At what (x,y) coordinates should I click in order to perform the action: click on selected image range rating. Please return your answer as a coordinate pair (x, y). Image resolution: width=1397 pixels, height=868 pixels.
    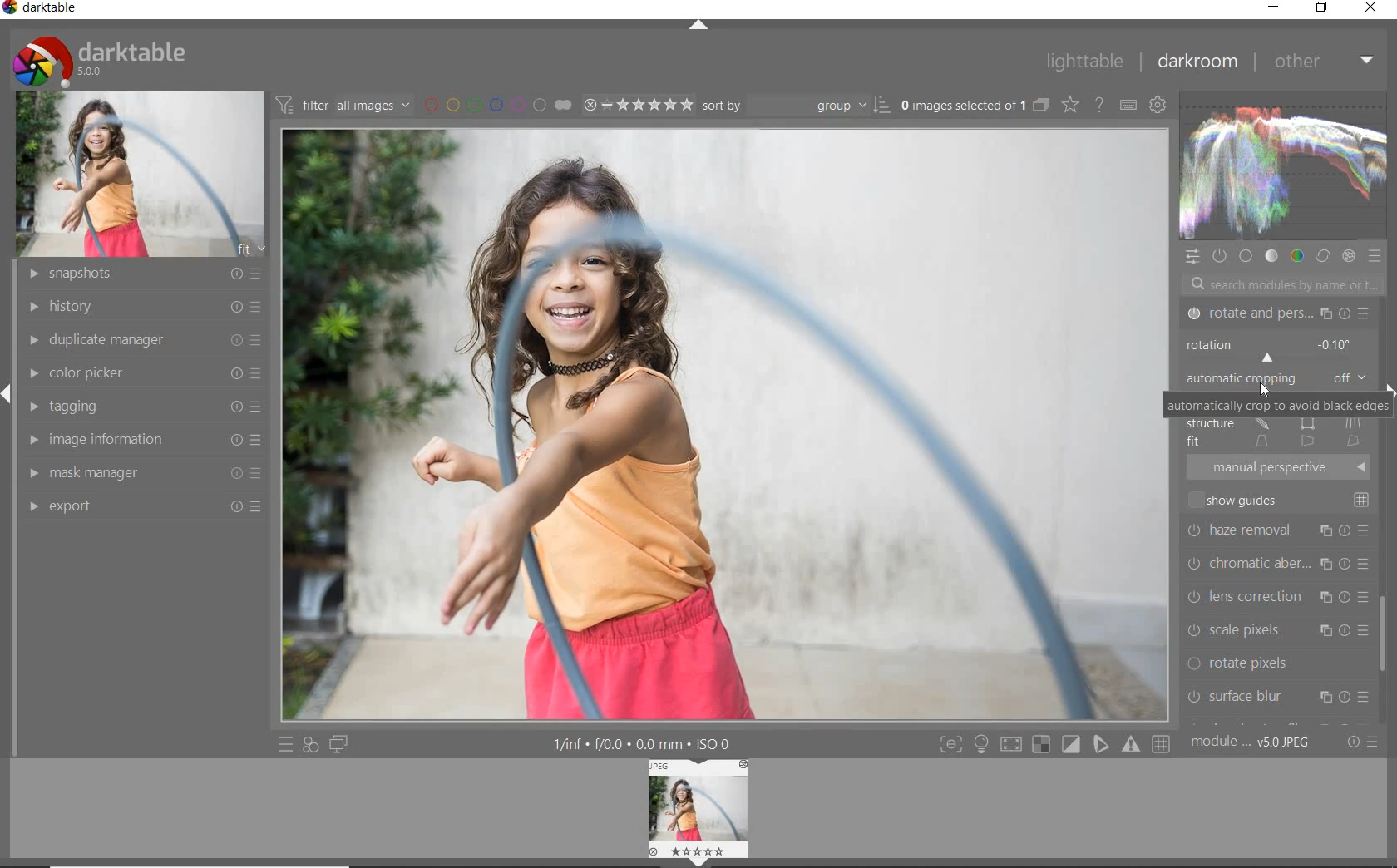
    Looking at the image, I should click on (635, 105).